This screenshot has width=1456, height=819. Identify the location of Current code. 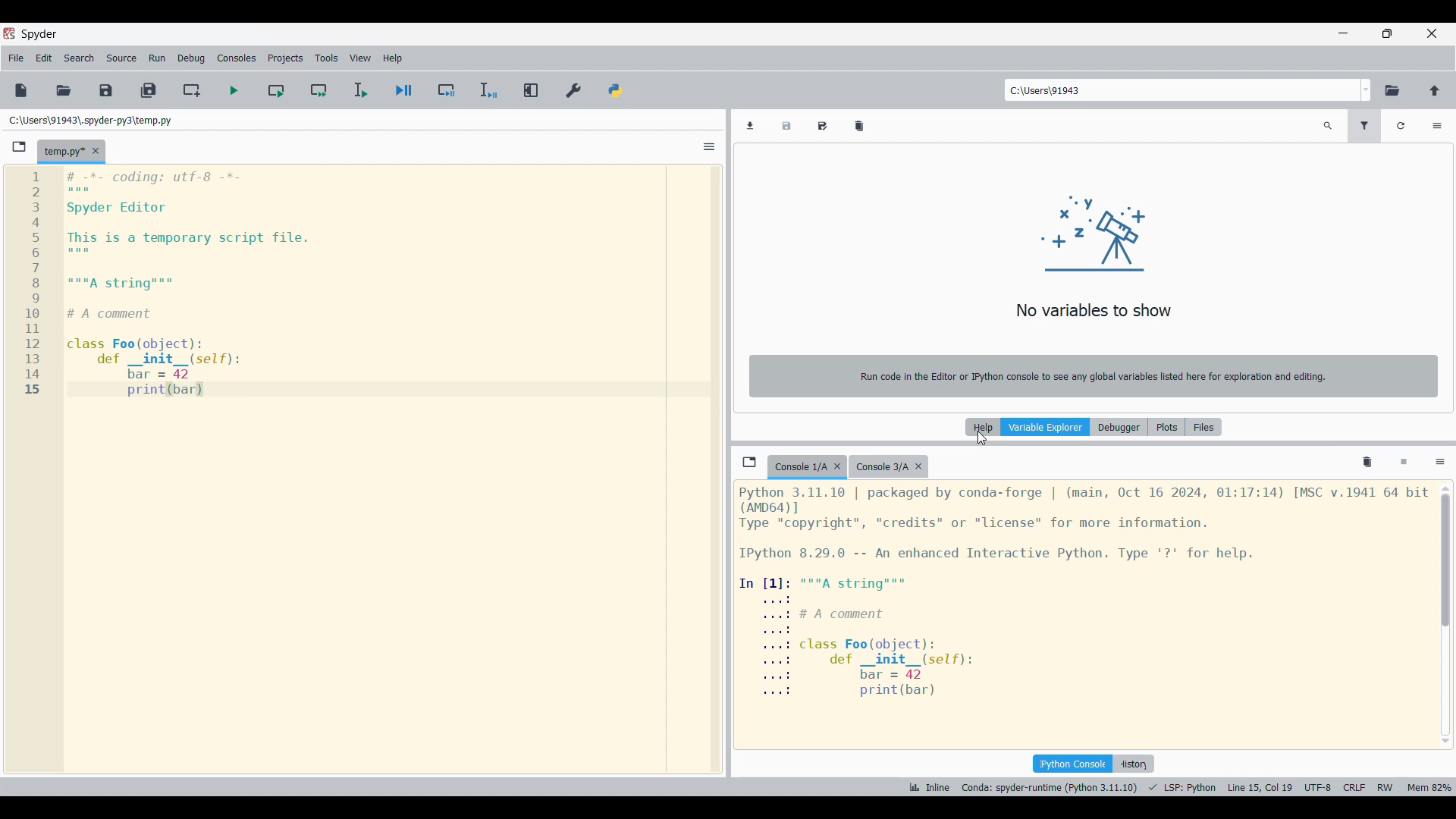
(192, 284).